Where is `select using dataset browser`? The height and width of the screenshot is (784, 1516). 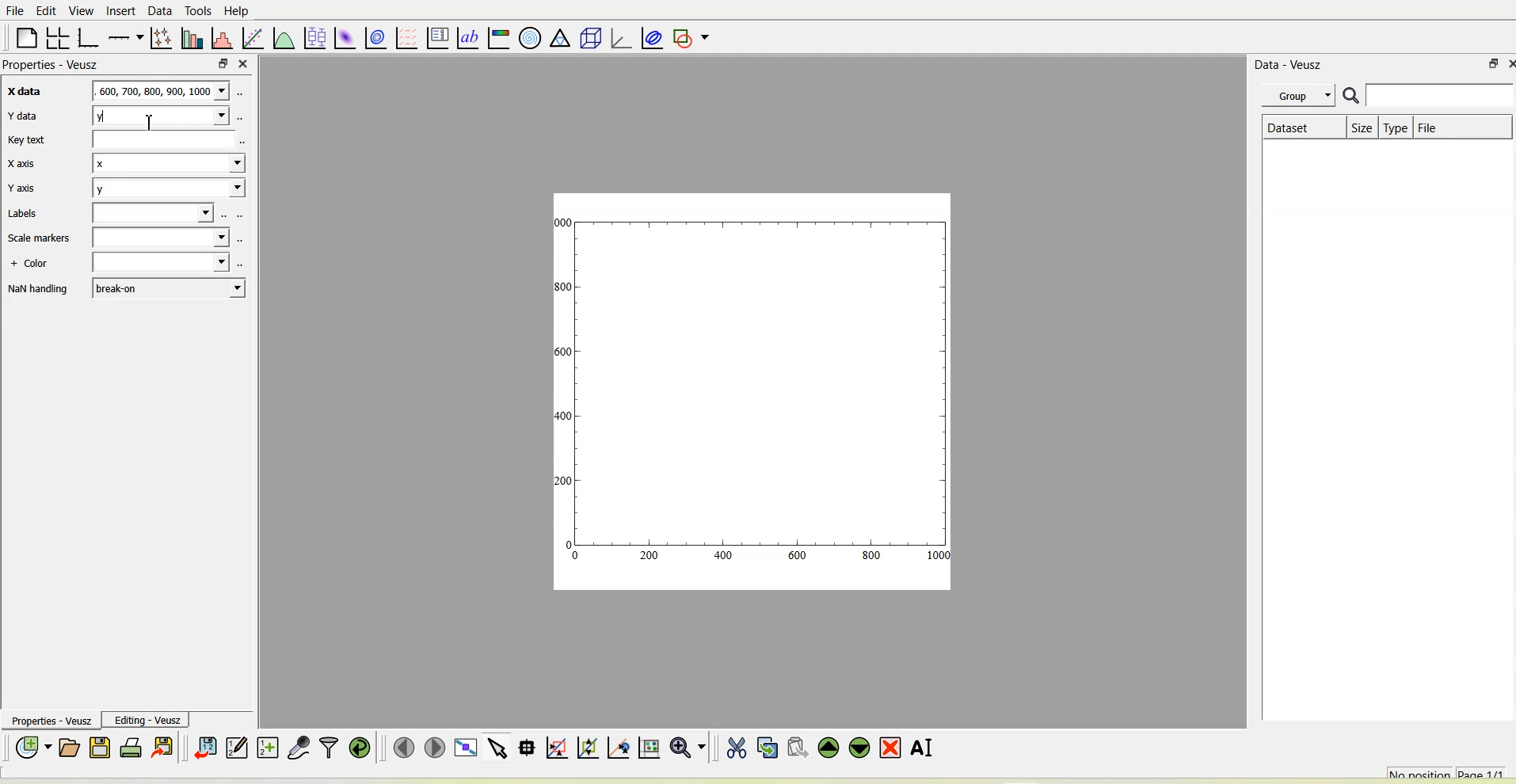
select using dataset browser is located at coordinates (242, 263).